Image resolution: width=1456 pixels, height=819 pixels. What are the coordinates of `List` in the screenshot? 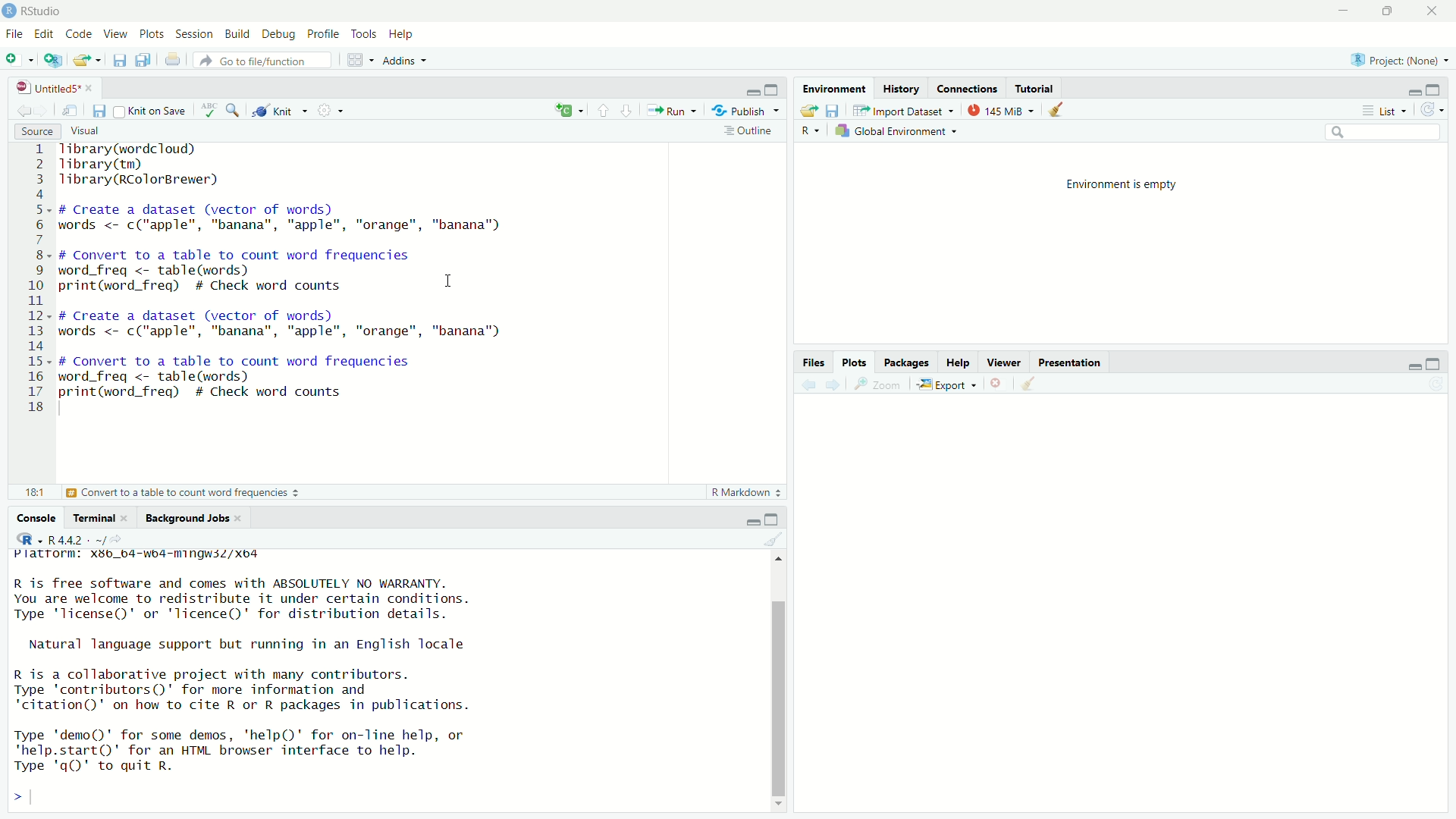 It's located at (1386, 111).